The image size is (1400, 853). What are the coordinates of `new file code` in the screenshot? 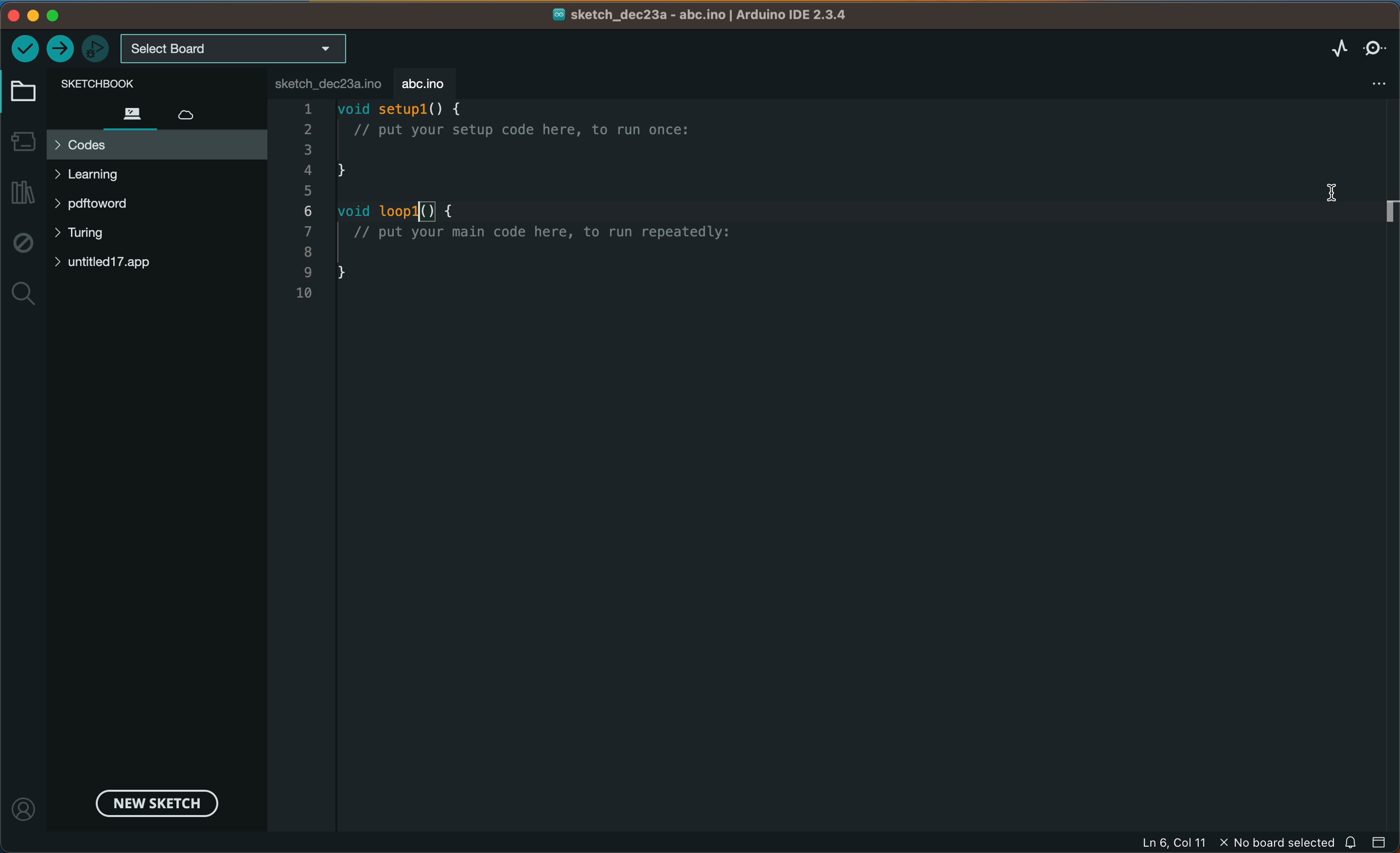 It's located at (525, 205).